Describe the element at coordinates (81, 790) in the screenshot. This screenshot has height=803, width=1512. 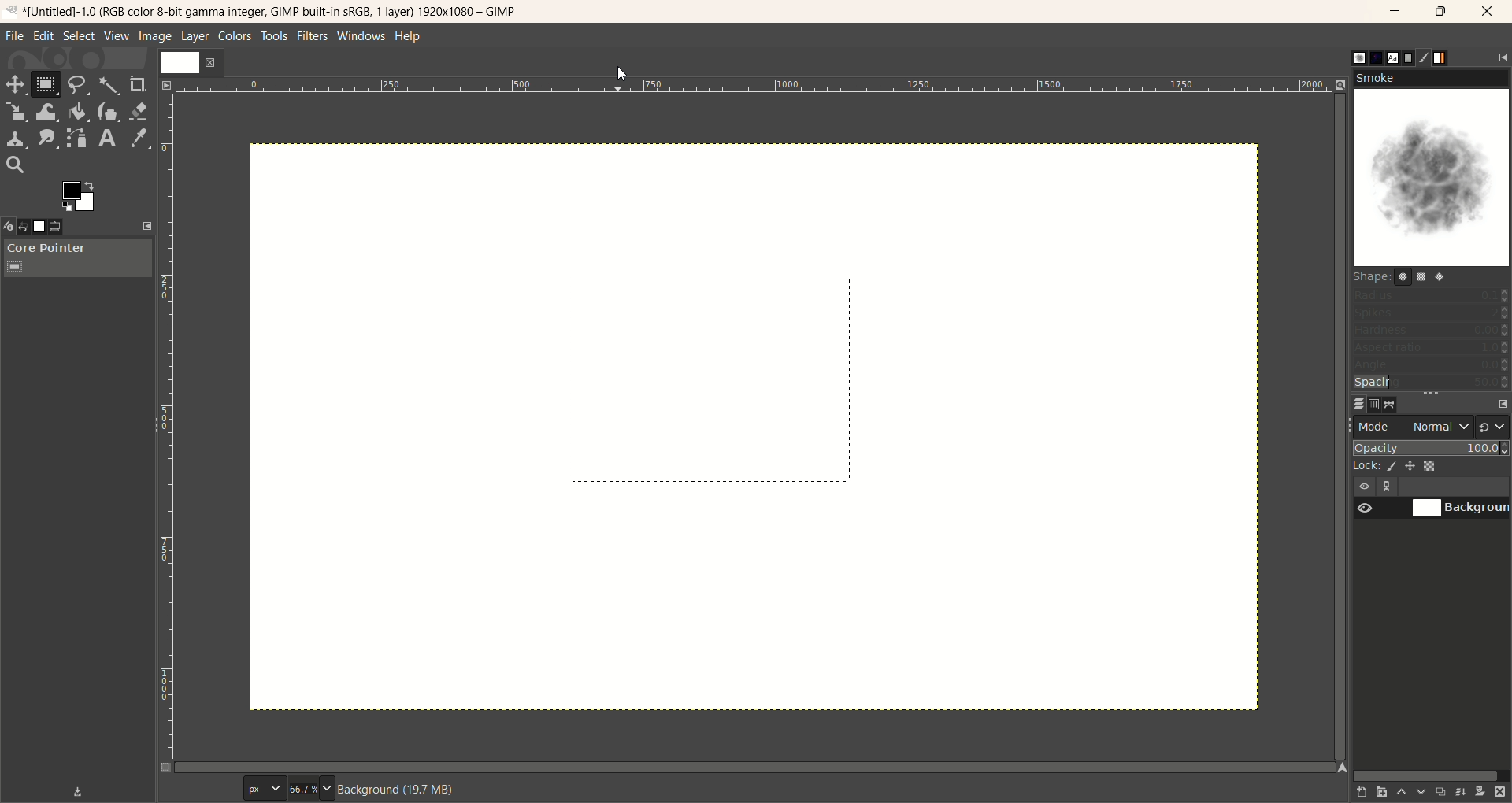
I see `save device status` at that location.